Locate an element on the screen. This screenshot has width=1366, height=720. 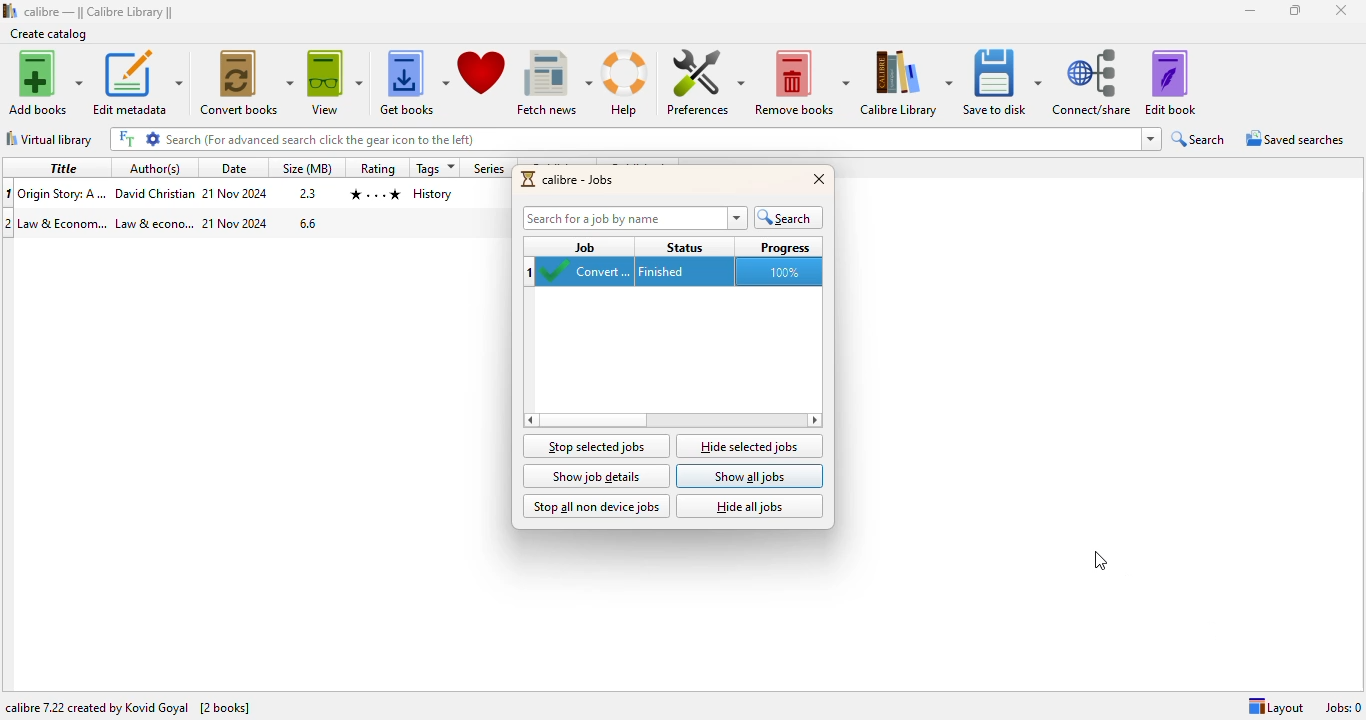
tags is located at coordinates (435, 168).